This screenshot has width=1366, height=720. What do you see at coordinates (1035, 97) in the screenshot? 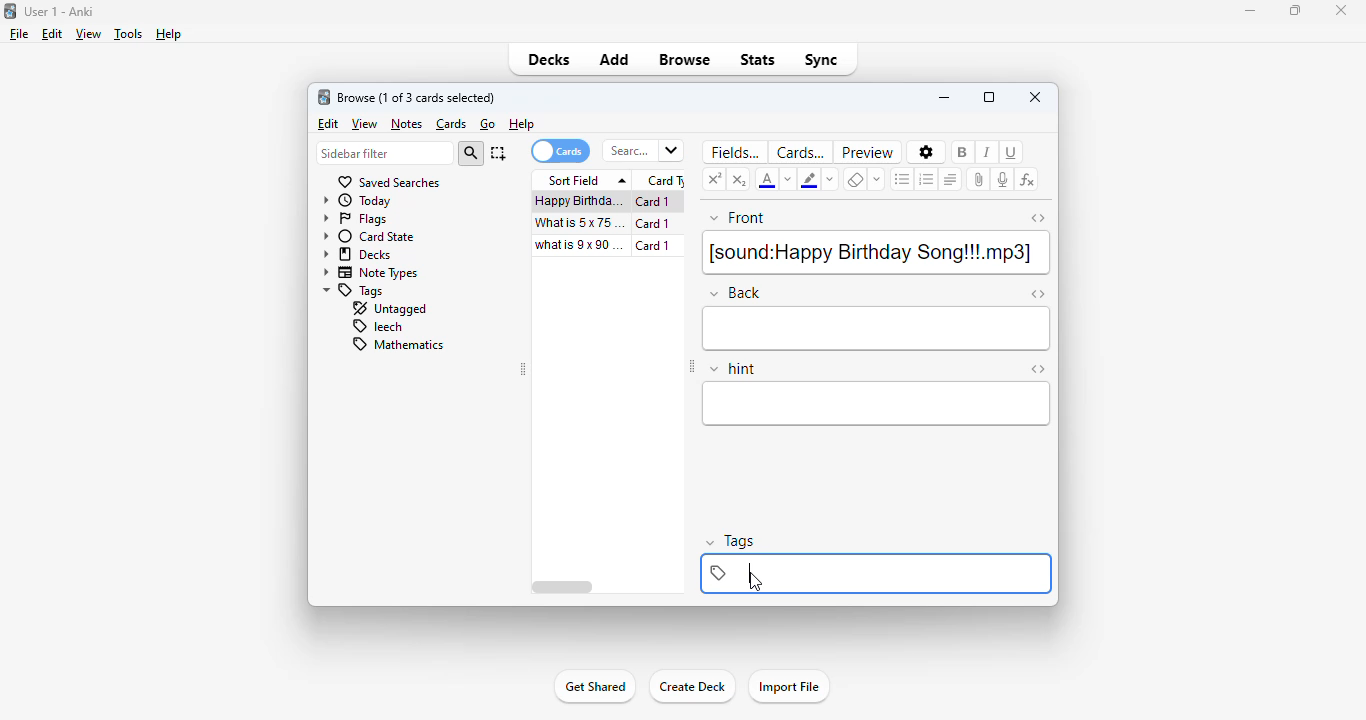
I see `close` at bounding box center [1035, 97].